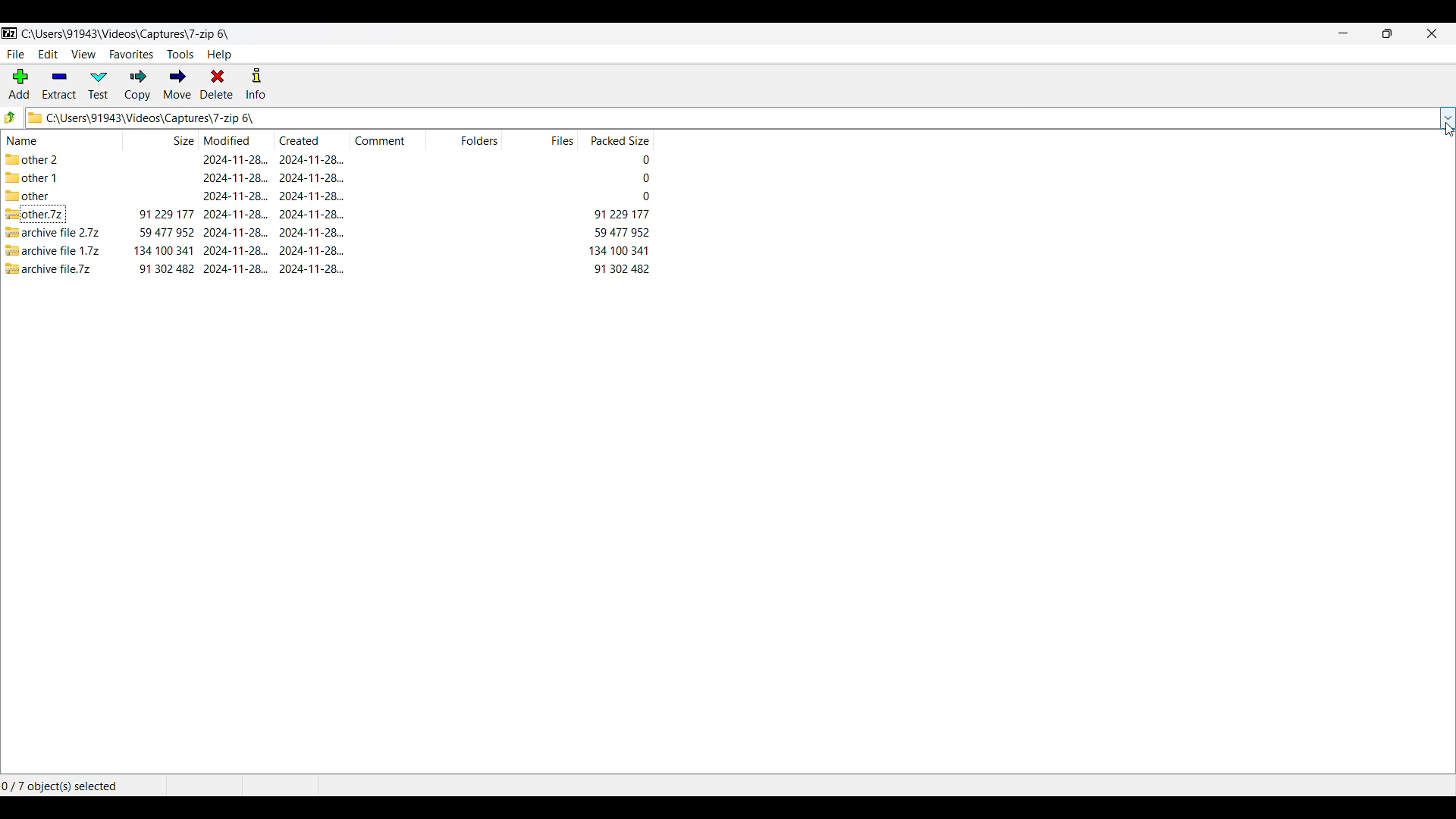  What do you see at coordinates (217, 83) in the screenshot?
I see `Delete` at bounding box center [217, 83].